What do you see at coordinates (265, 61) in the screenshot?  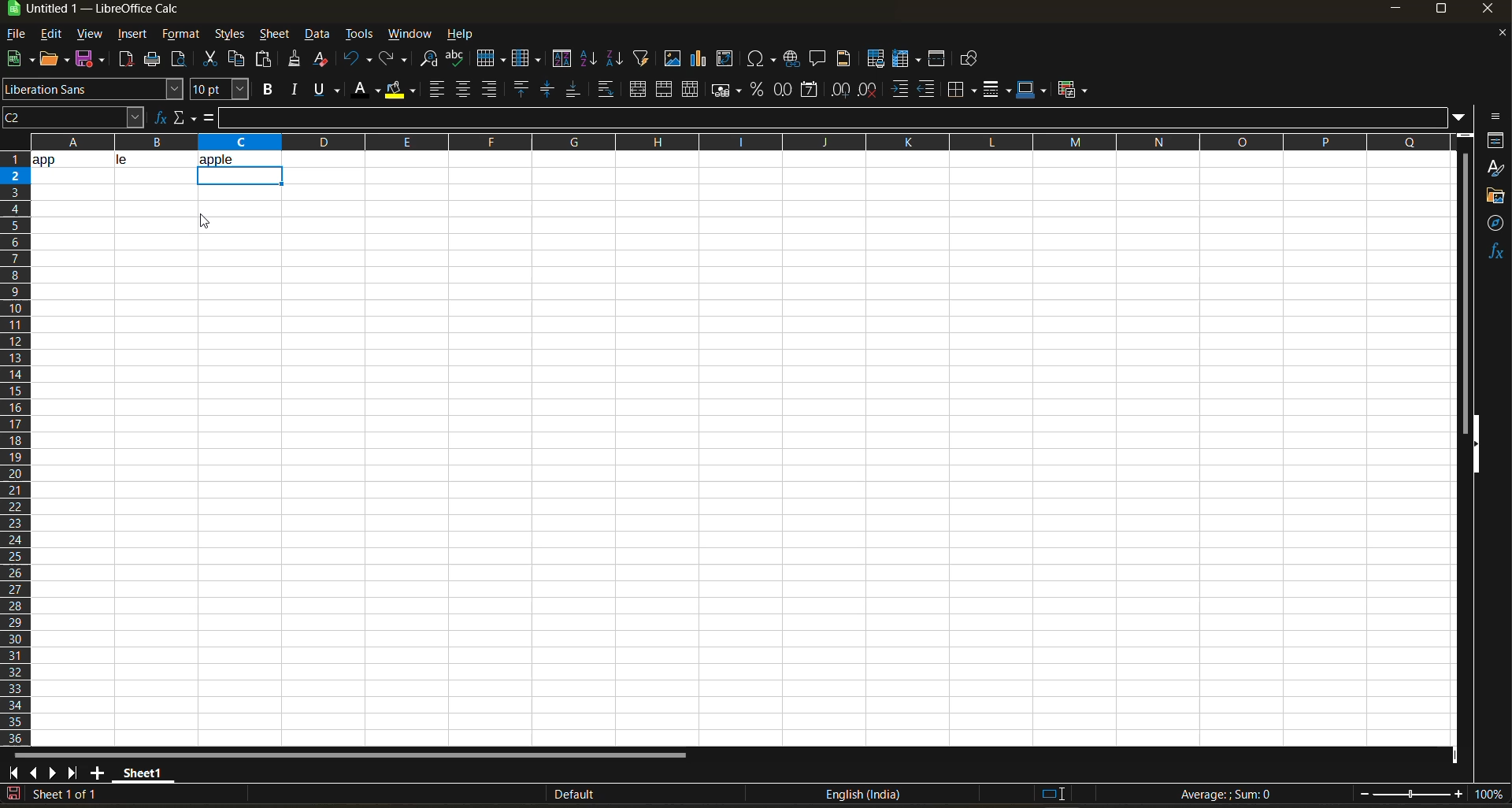 I see `paste` at bounding box center [265, 61].